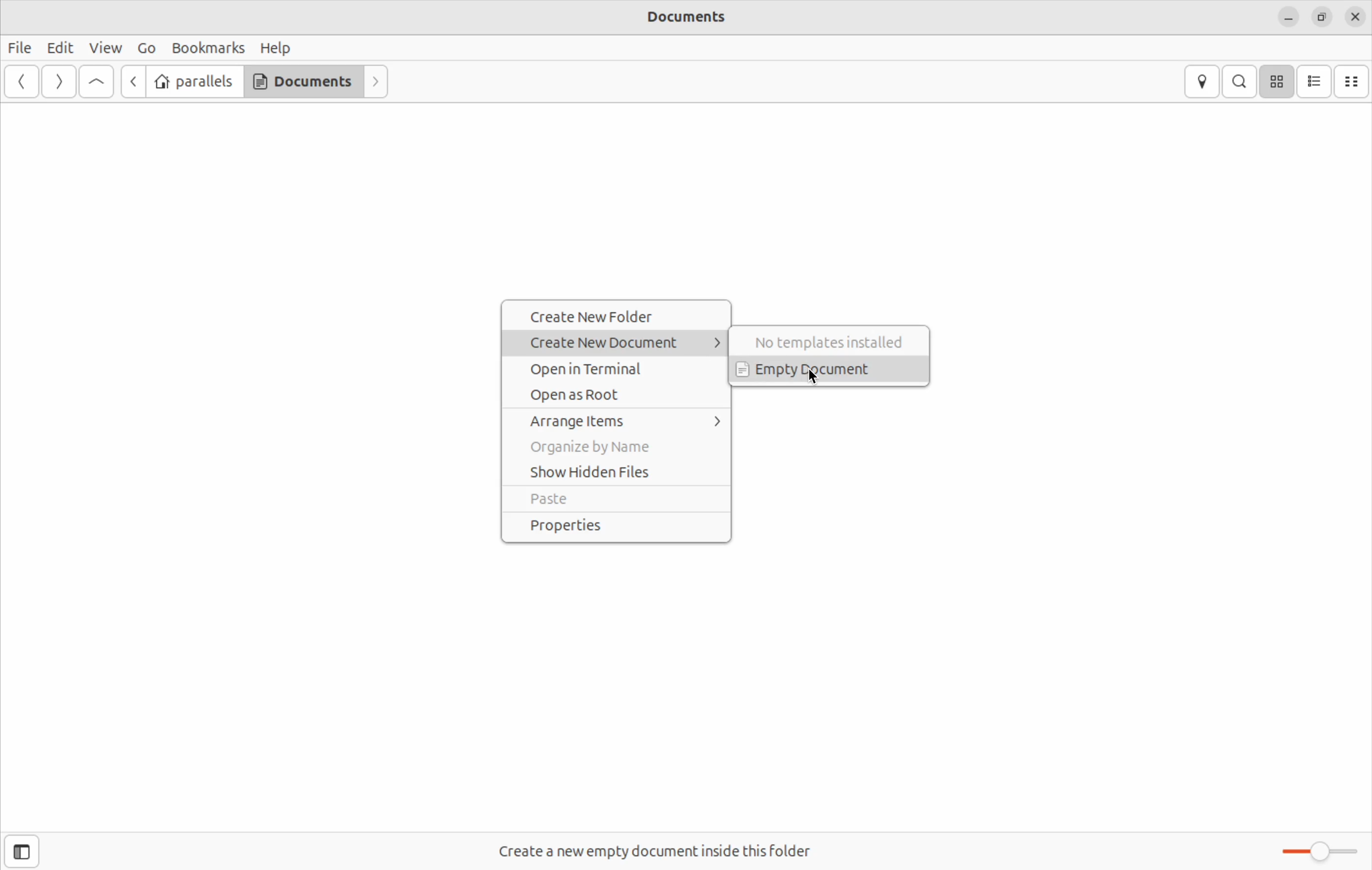 The width and height of the screenshot is (1372, 870). Describe the element at coordinates (108, 47) in the screenshot. I see `View` at that location.